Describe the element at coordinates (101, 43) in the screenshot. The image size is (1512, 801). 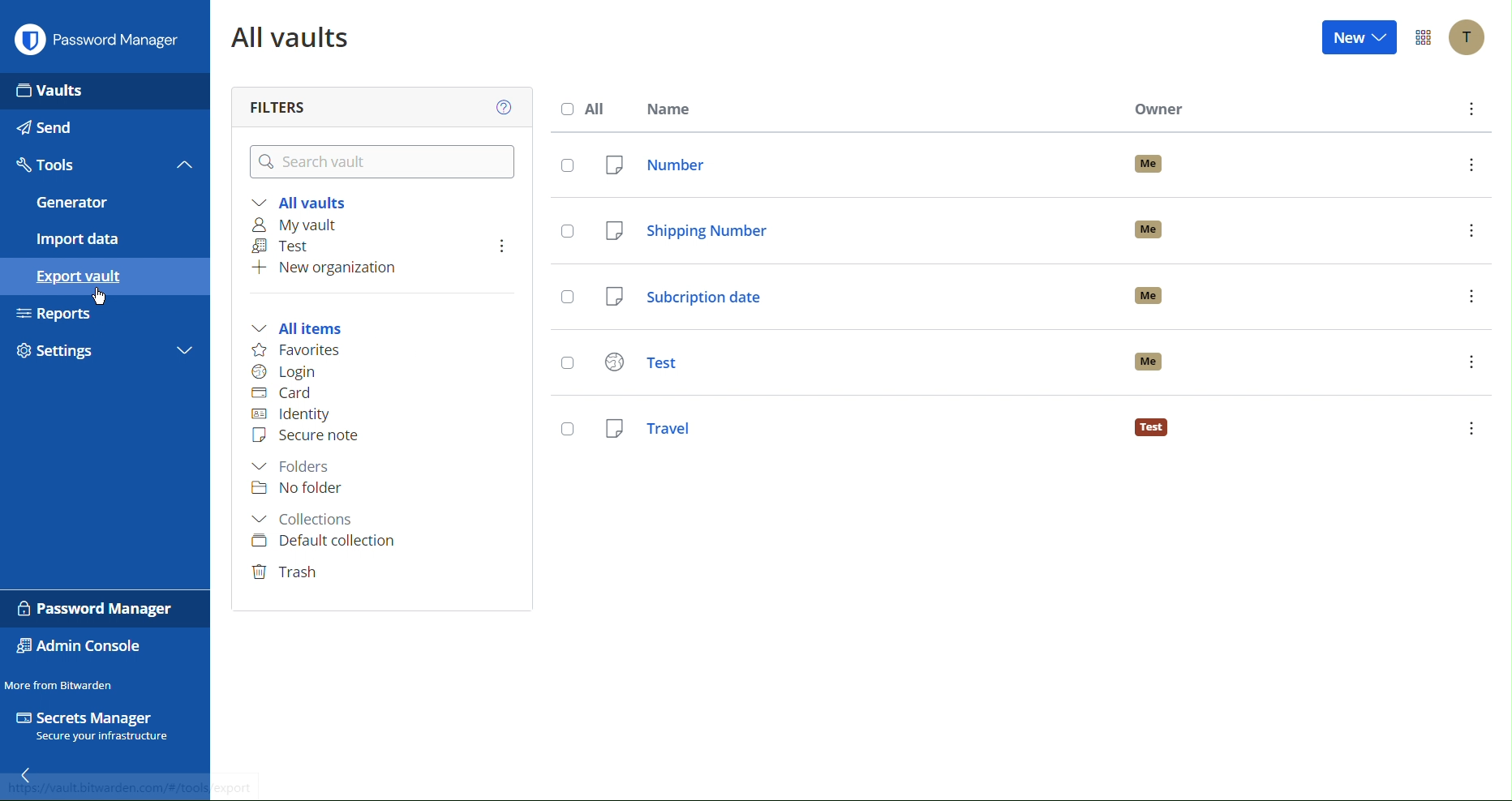
I see `Password Manager` at that location.